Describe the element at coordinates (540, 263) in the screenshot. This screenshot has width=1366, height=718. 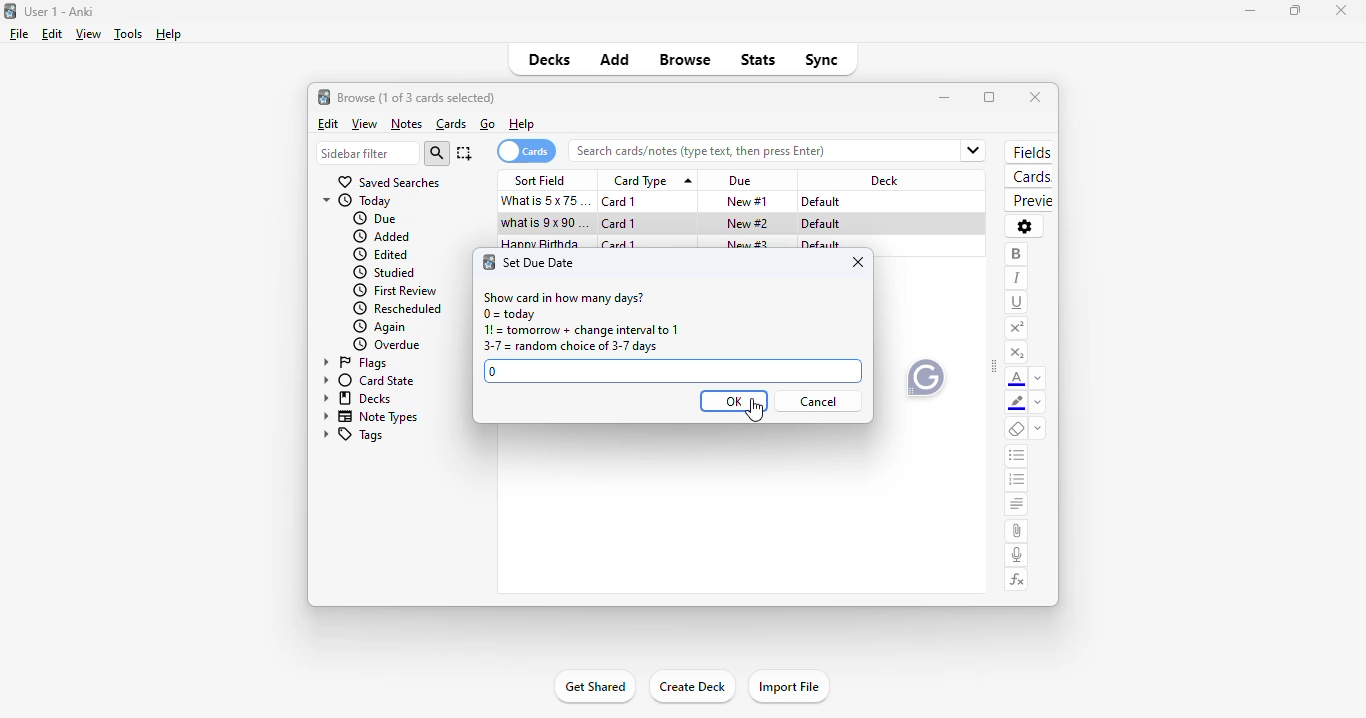
I see `set due date` at that location.